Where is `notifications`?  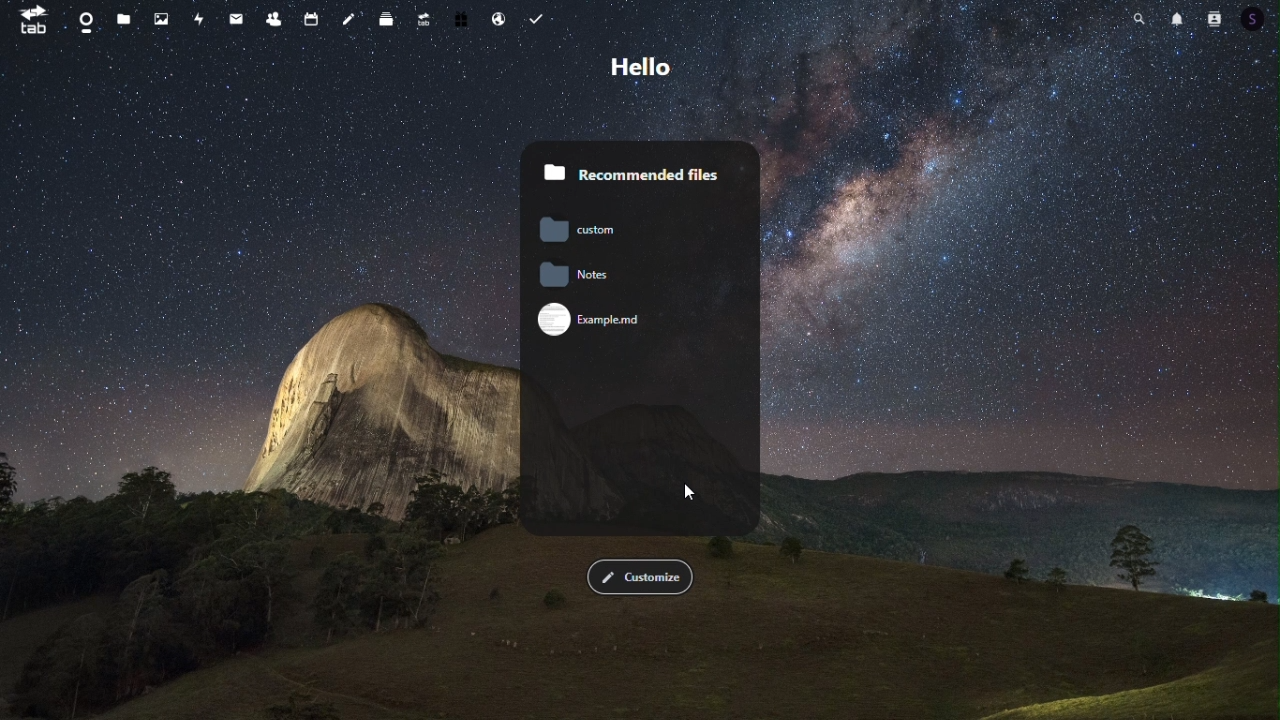
notifications is located at coordinates (1178, 20).